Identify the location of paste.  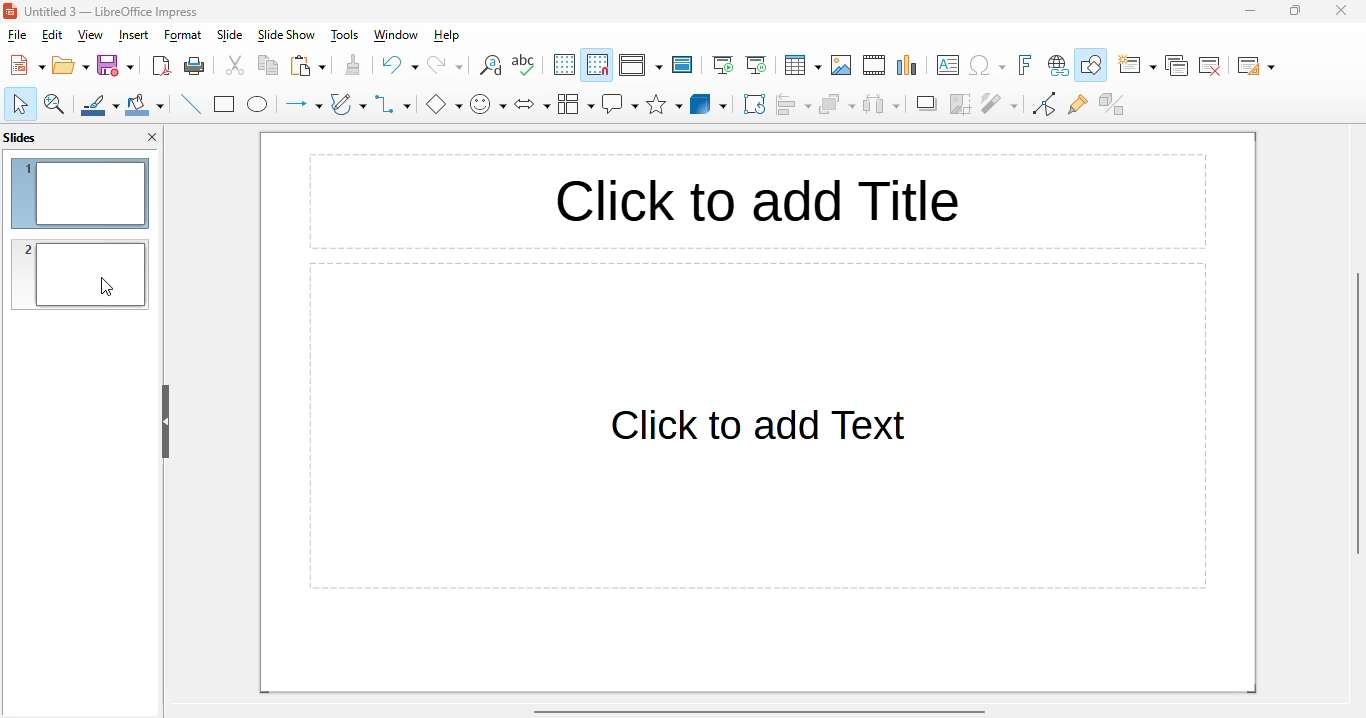
(307, 66).